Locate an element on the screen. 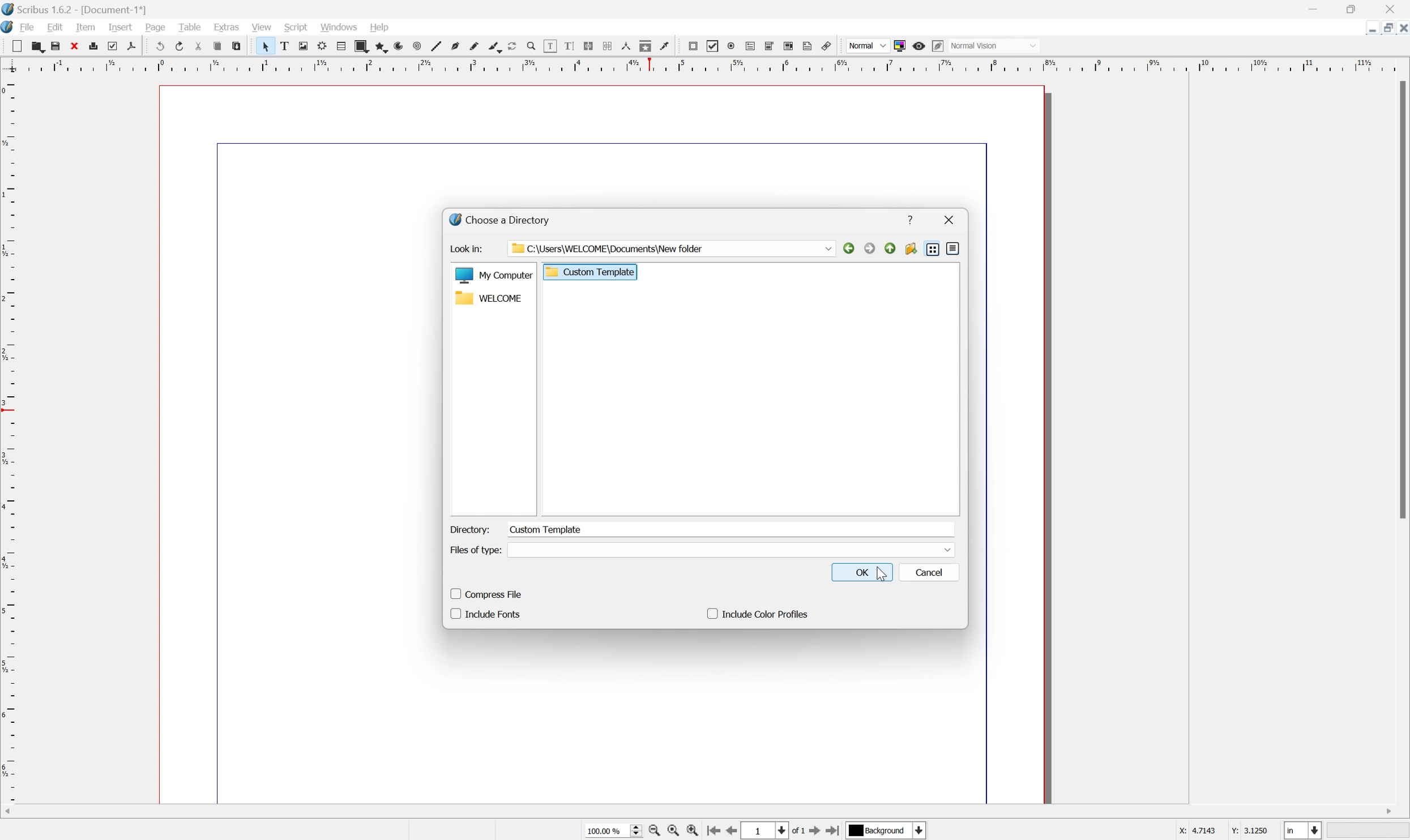  welcome is located at coordinates (488, 301).